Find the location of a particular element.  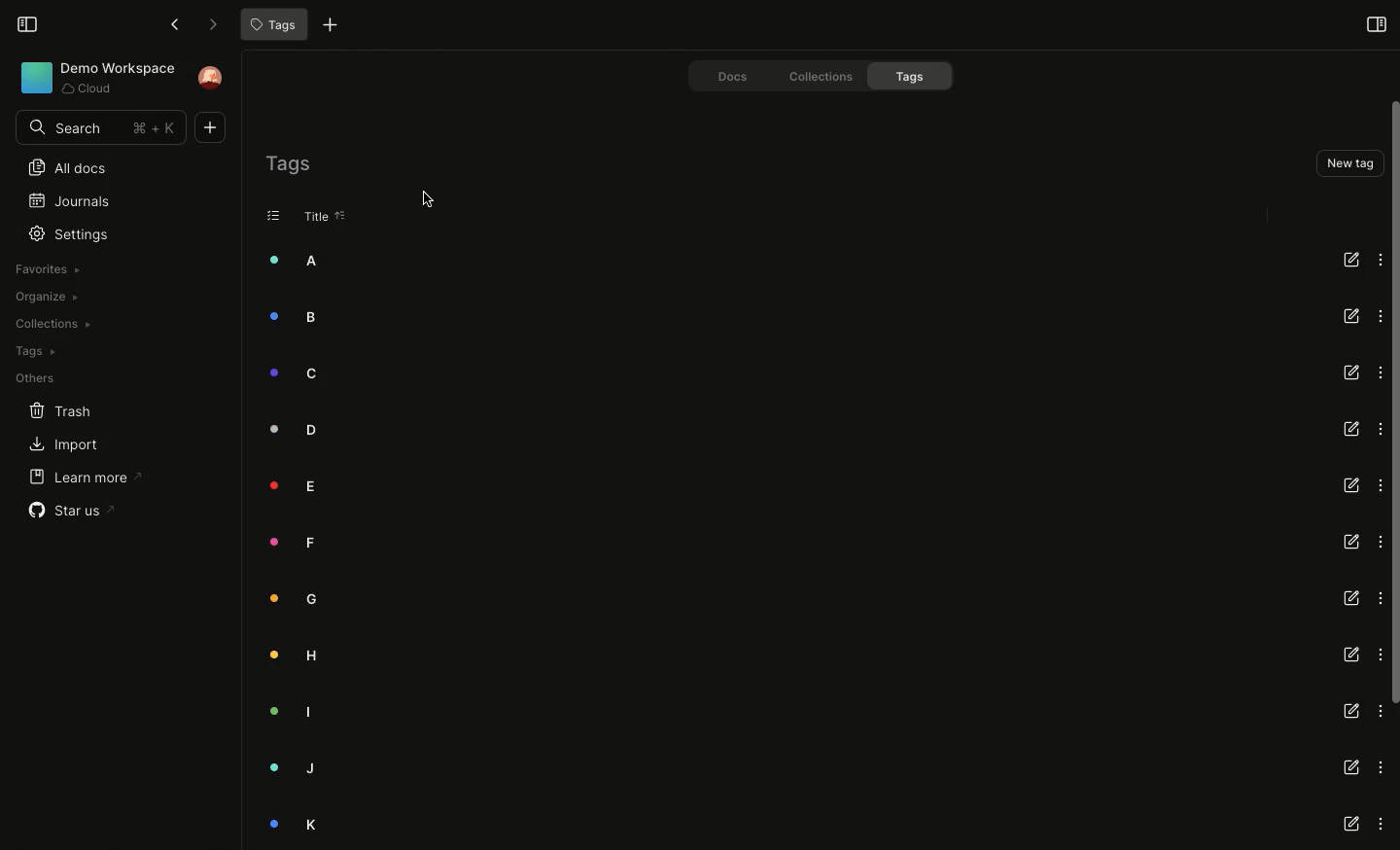

Options is located at coordinates (1382, 825).